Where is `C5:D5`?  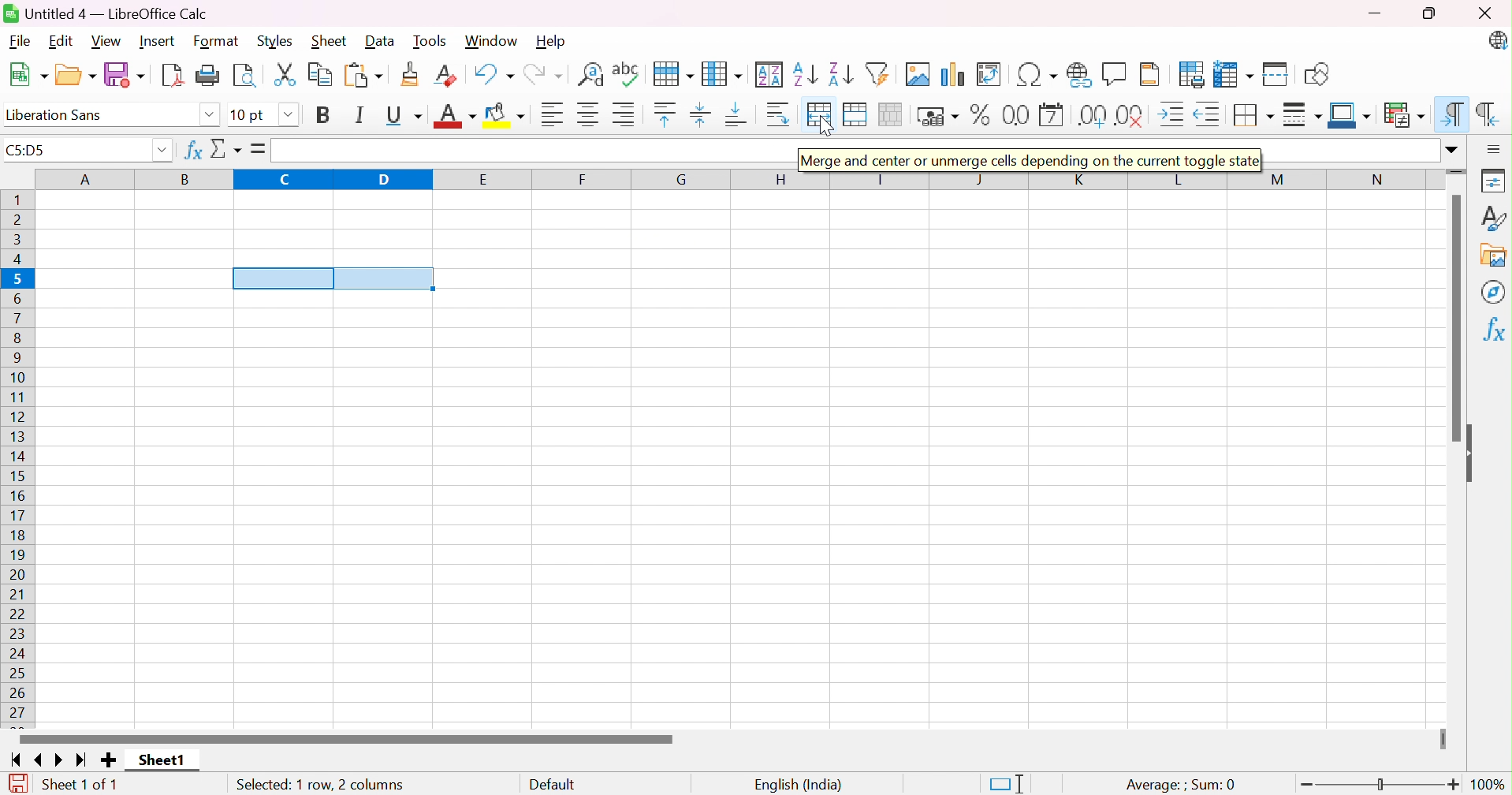 C5:D5 is located at coordinates (32, 152).